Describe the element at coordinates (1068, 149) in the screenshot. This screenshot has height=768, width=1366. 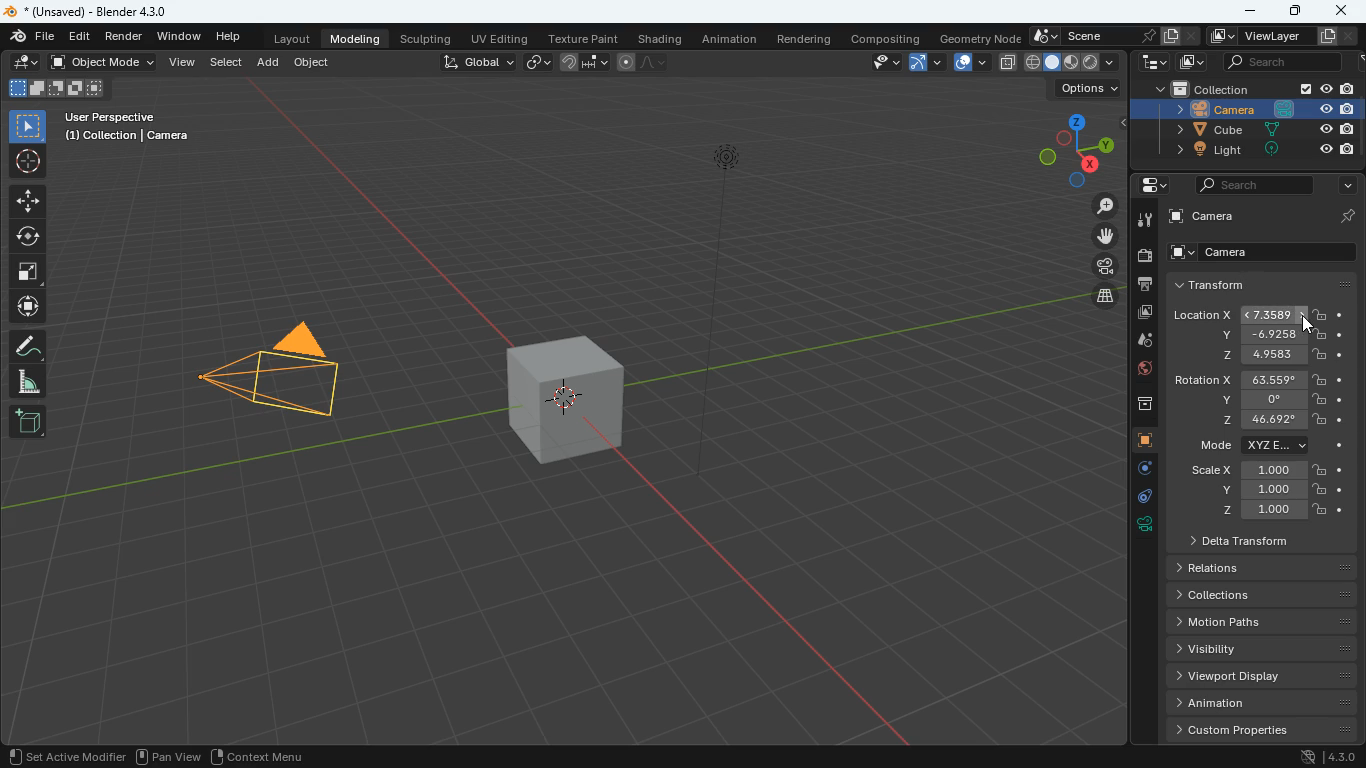
I see `dimensions` at that location.